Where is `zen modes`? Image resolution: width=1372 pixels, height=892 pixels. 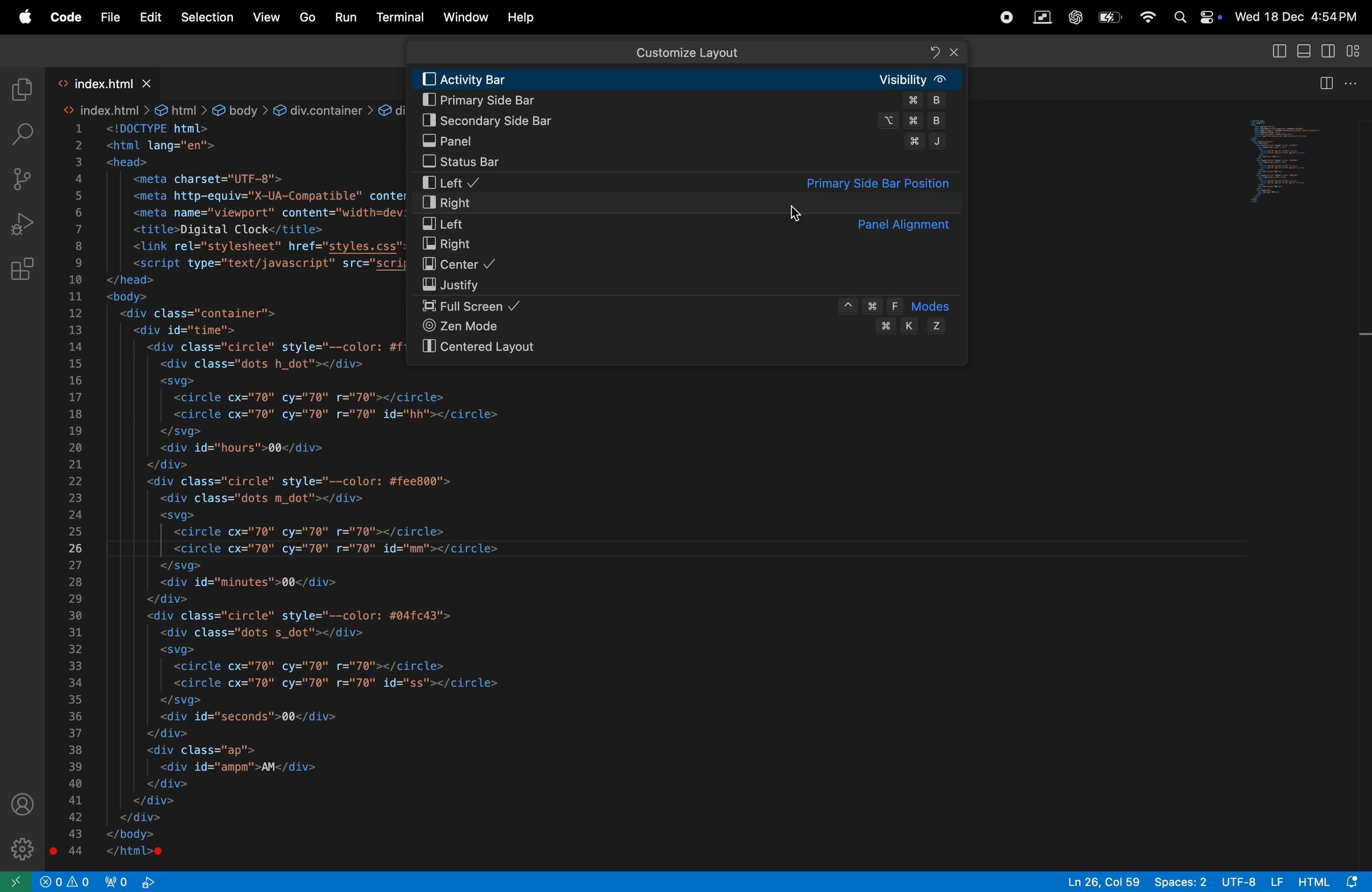 zen modes is located at coordinates (687, 329).